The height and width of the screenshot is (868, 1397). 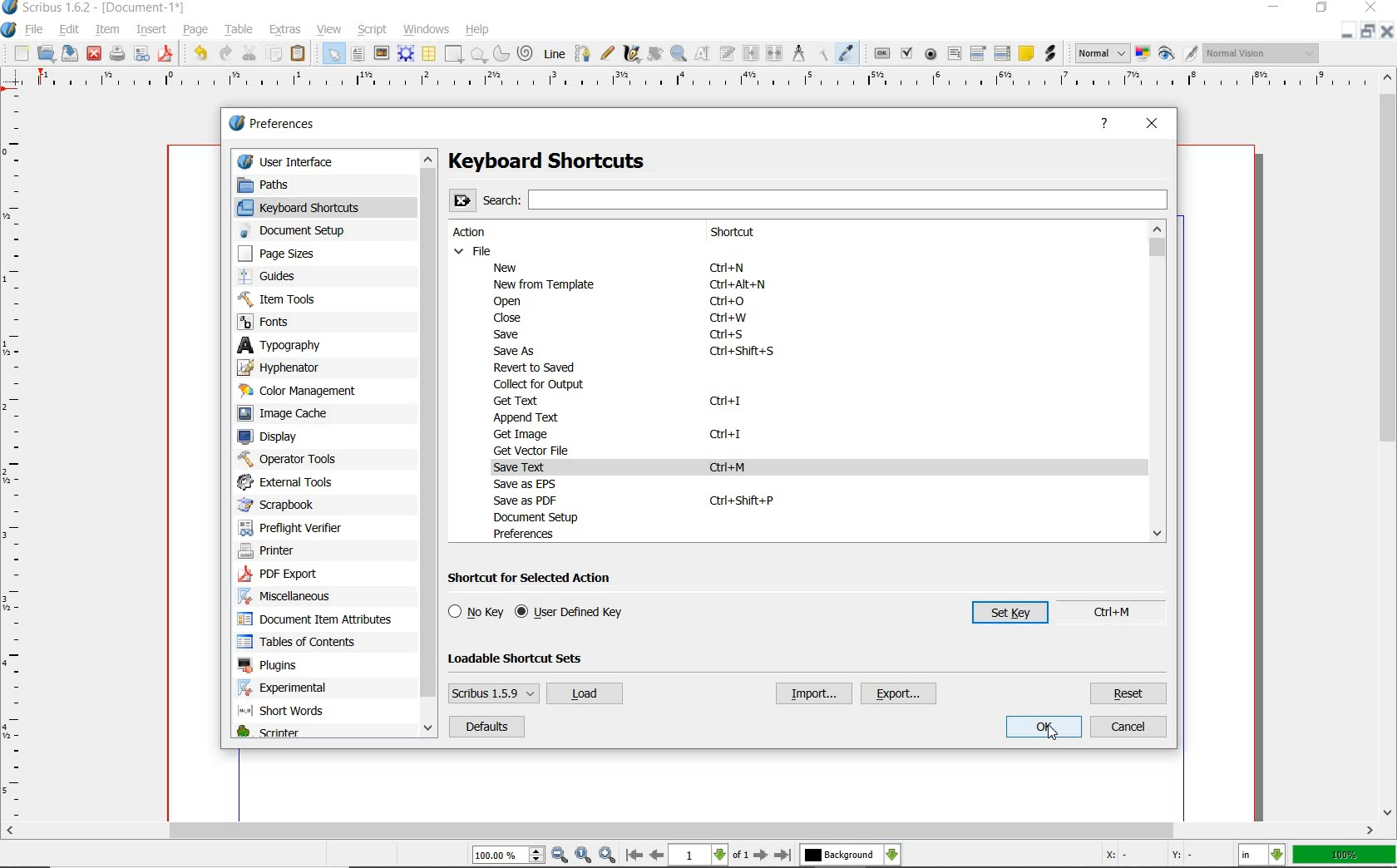 What do you see at coordinates (744, 352) in the screenshot?
I see `Ctrl + Shift + S` at bounding box center [744, 352].